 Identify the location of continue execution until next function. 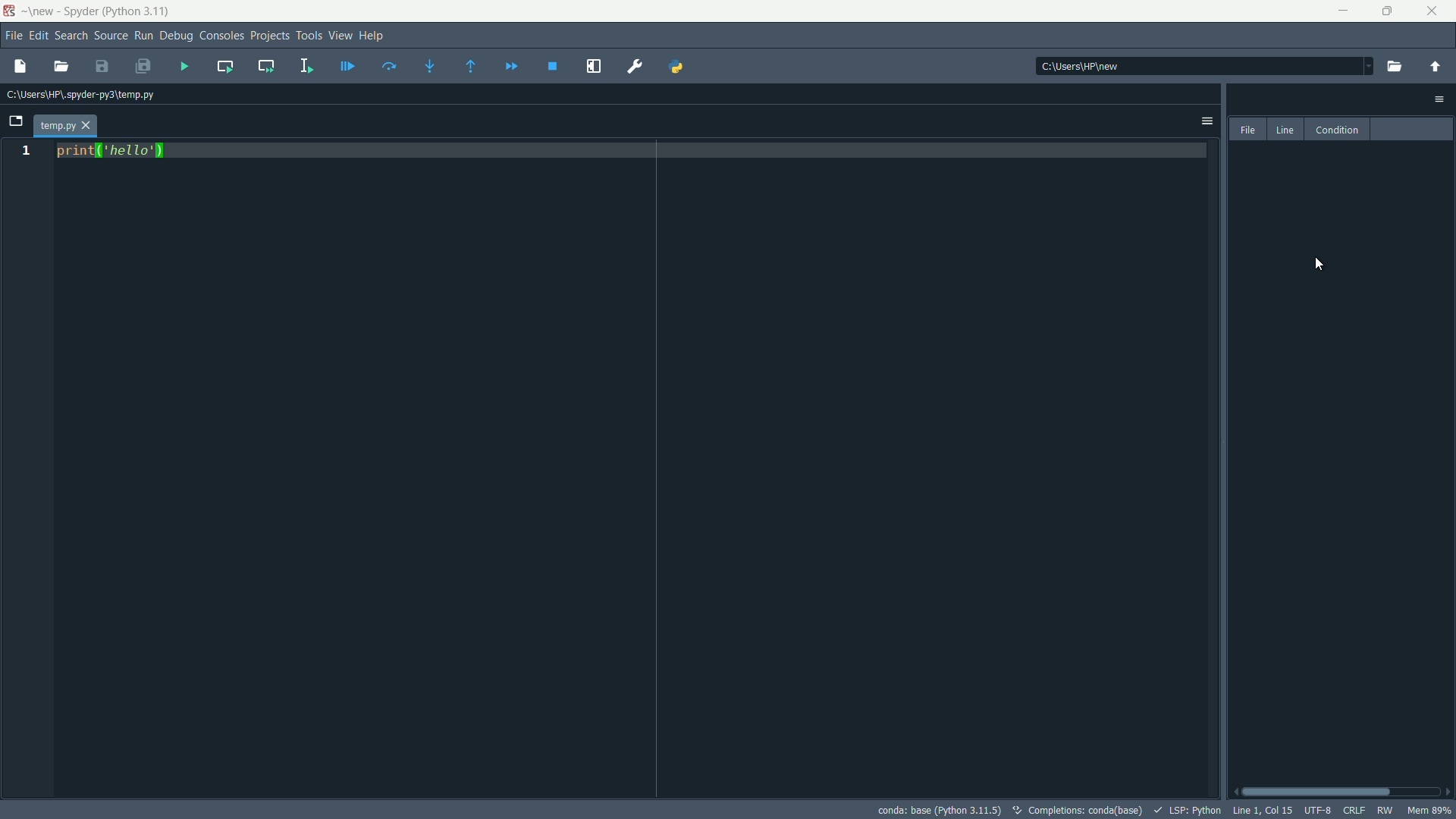
(472, 66).